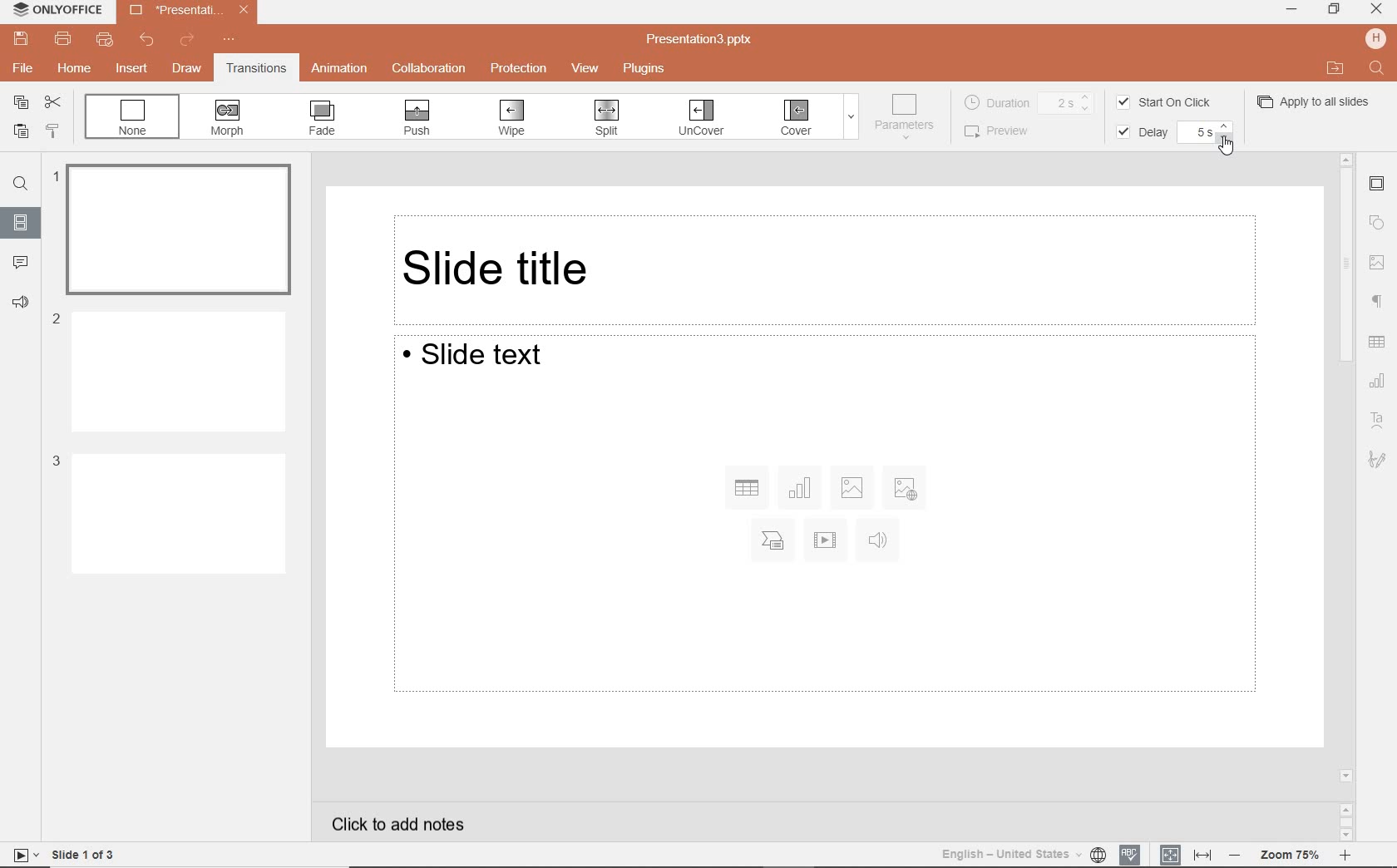  Describe the element at coordinates (1380, 302) in the screenshot. I see `paragraph settings` at that location.